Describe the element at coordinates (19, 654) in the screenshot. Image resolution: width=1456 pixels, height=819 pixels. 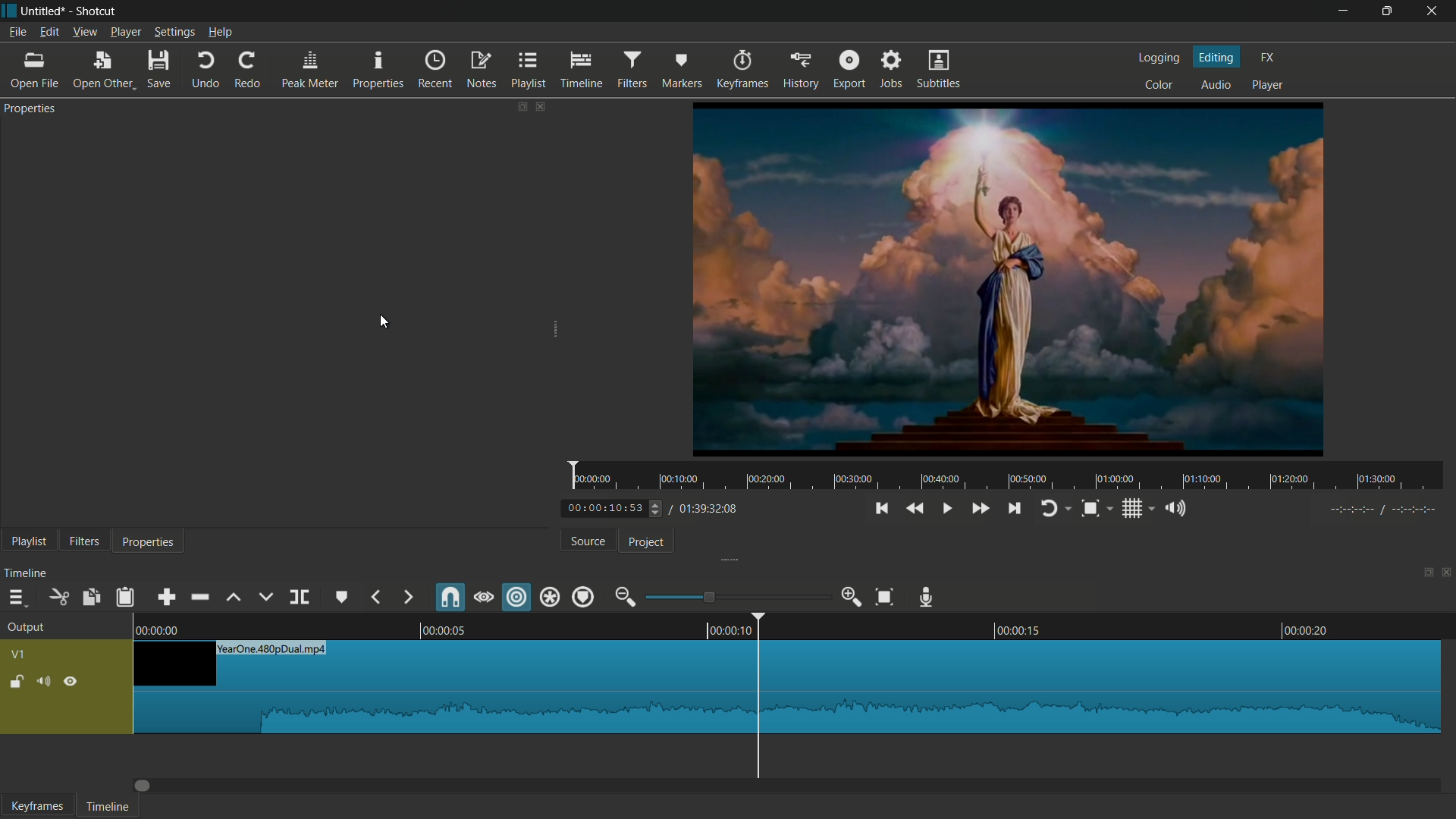
I see `vq` at that location.